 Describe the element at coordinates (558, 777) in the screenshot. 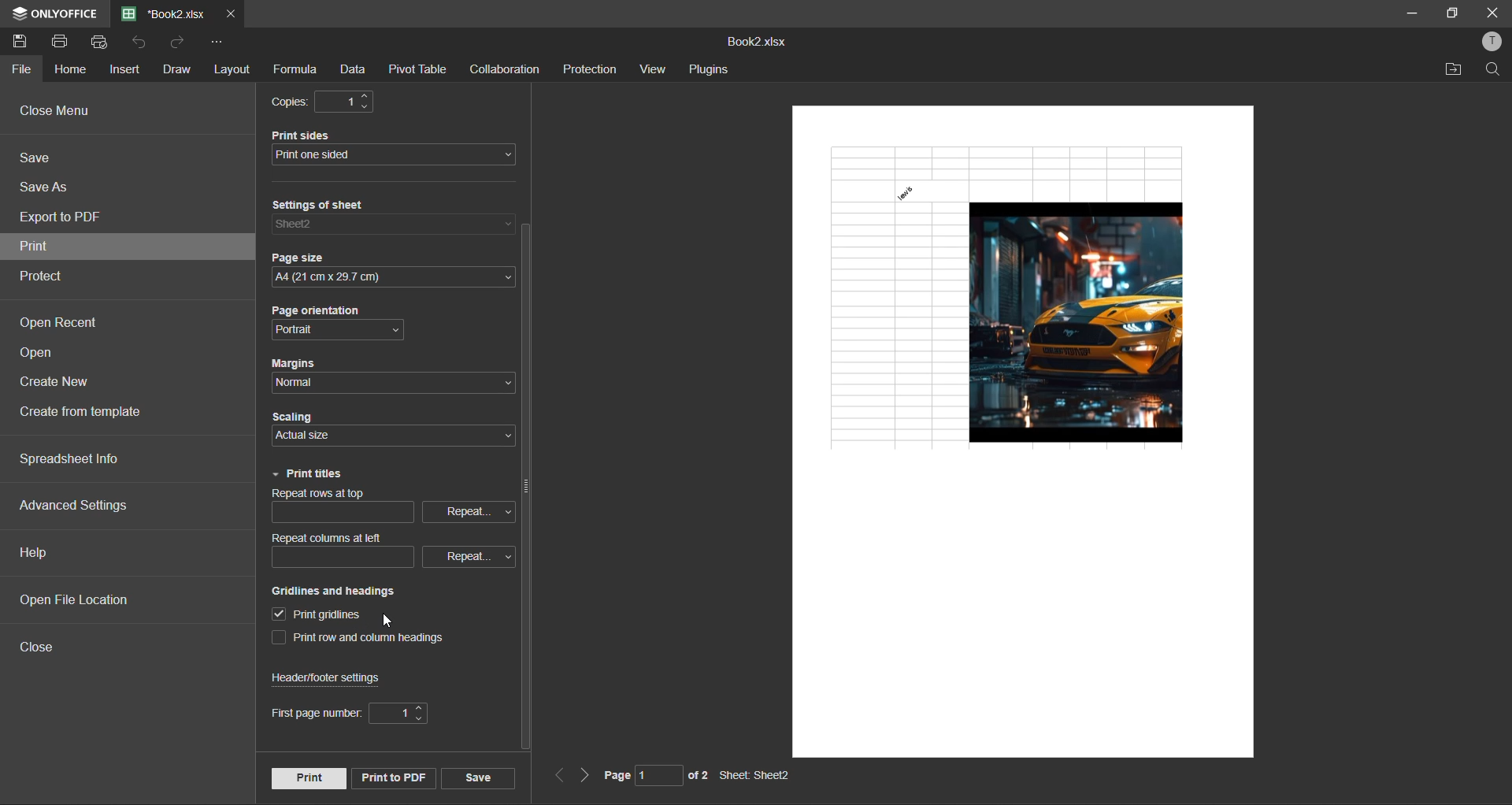

I see `previous` at that location.